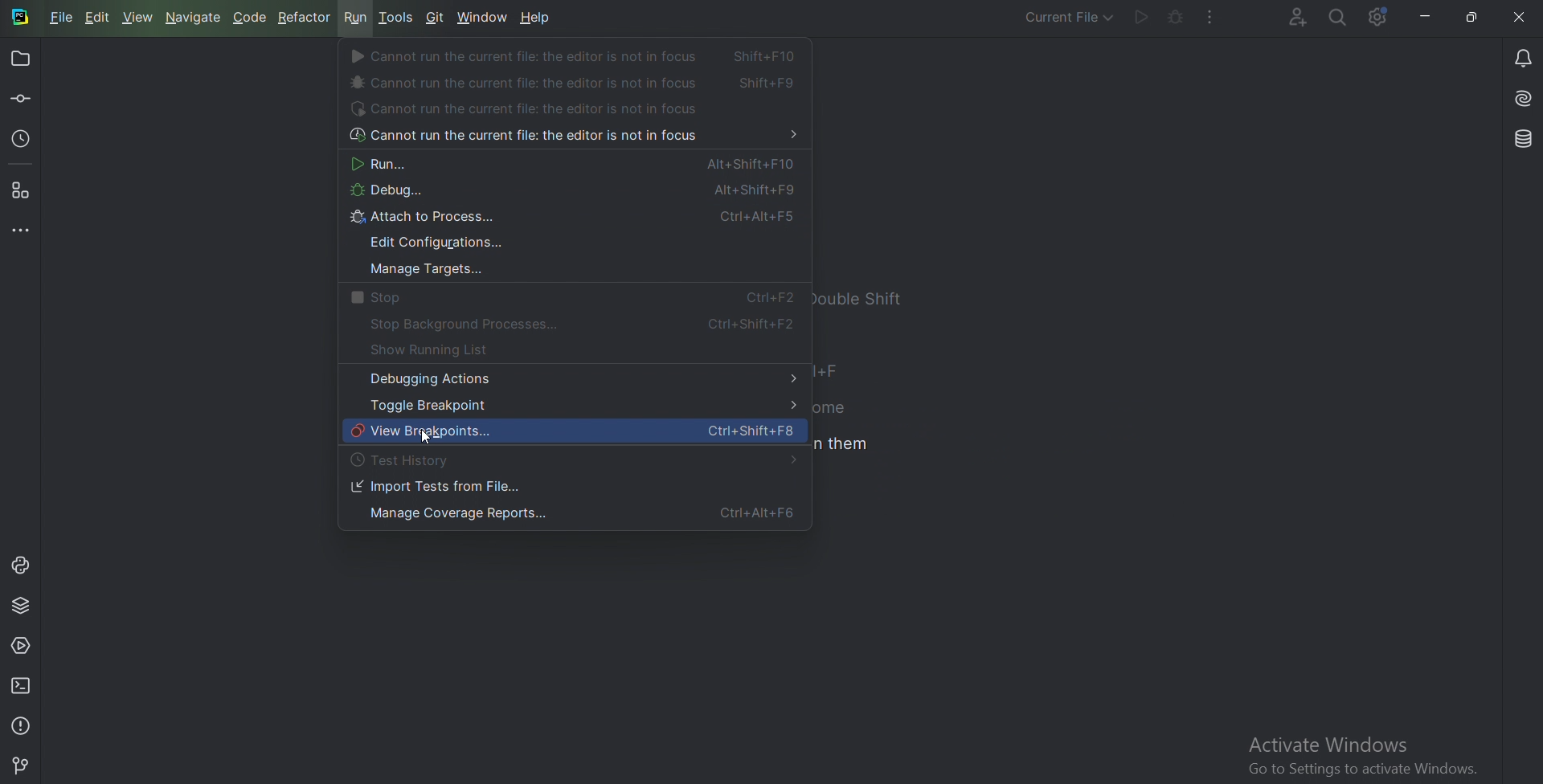 The height and width of the screenshot is (784, 1543). I want to click on More tool windows, so click(22, 231).